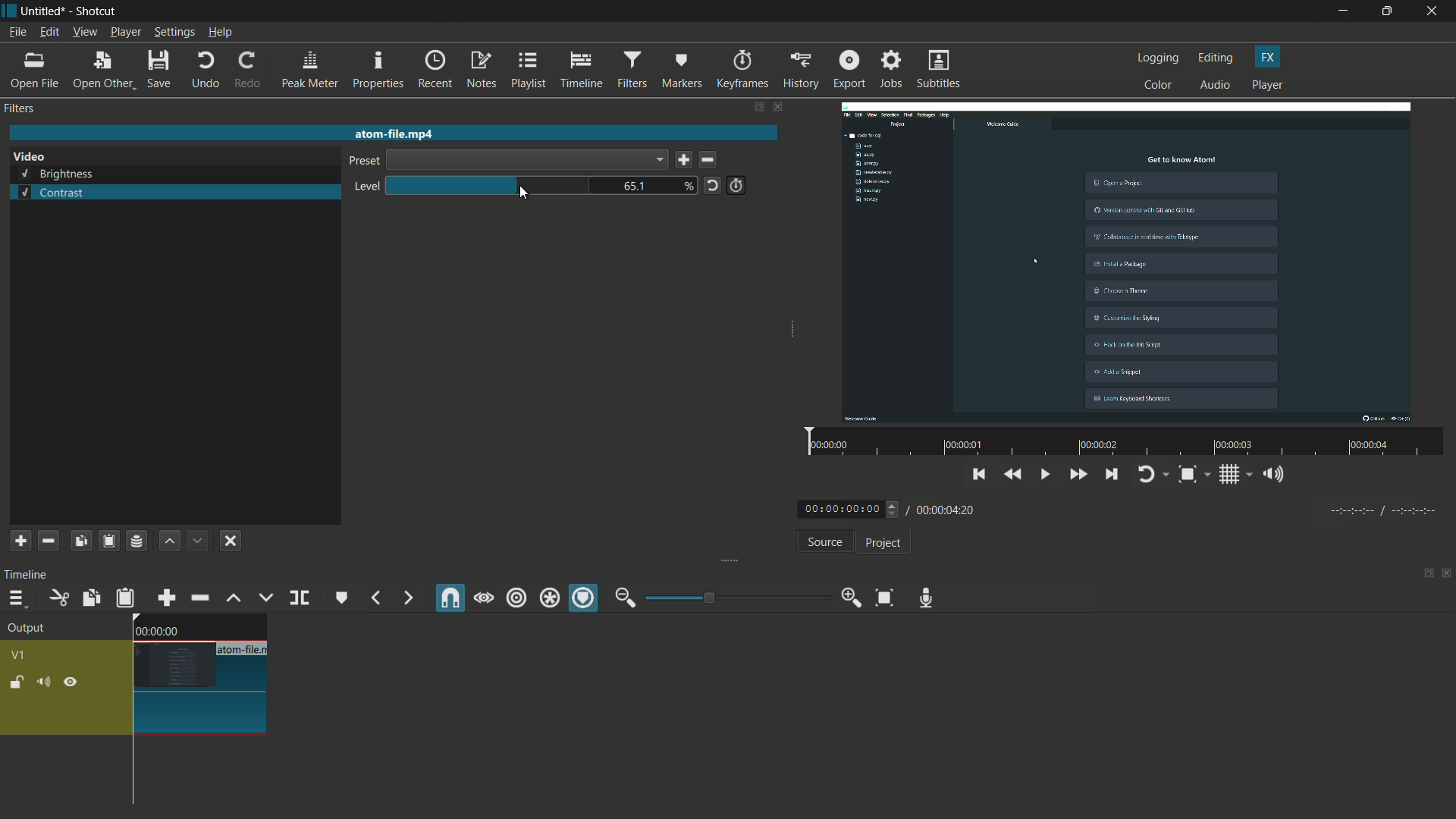 This screenshot has width=1456, height=819. Describe the element at coordinates (231, 541) in the screenshot. I see `deselect the filter` at that location.